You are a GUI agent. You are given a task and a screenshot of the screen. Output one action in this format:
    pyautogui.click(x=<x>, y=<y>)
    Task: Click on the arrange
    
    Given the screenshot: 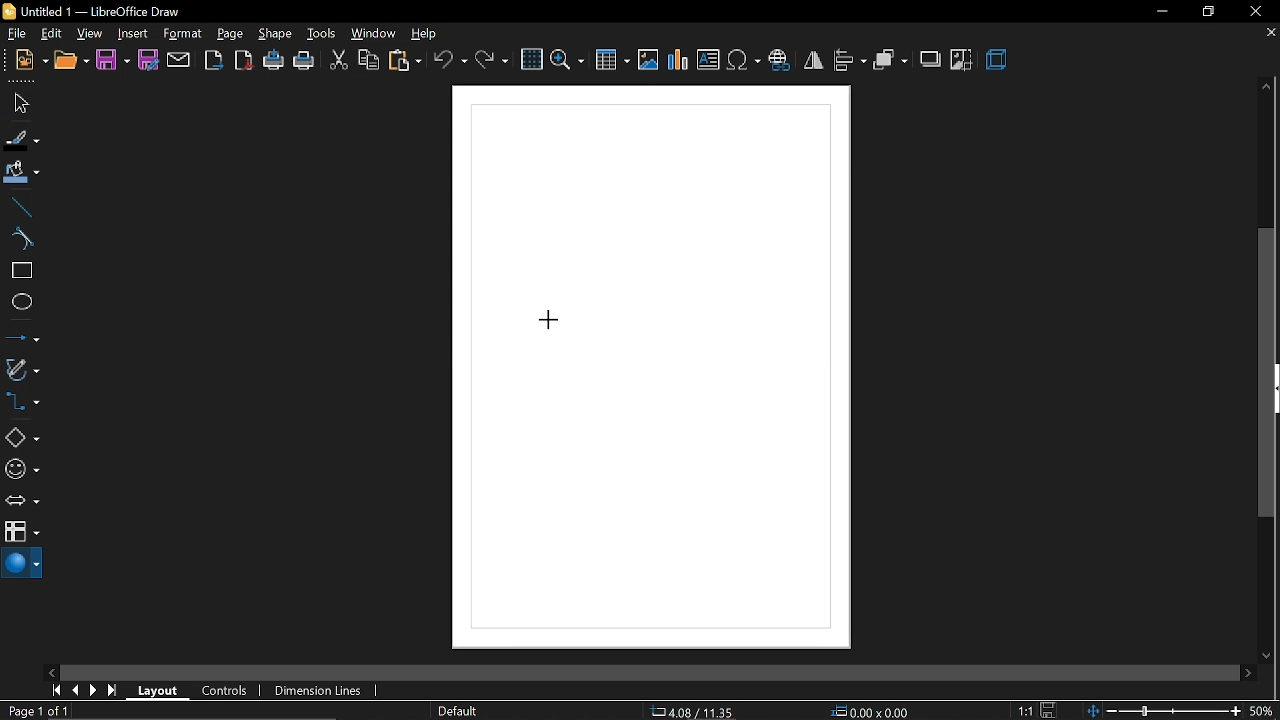 What is the action you would take?
    pyautogui.click(x=891, y=60)
    